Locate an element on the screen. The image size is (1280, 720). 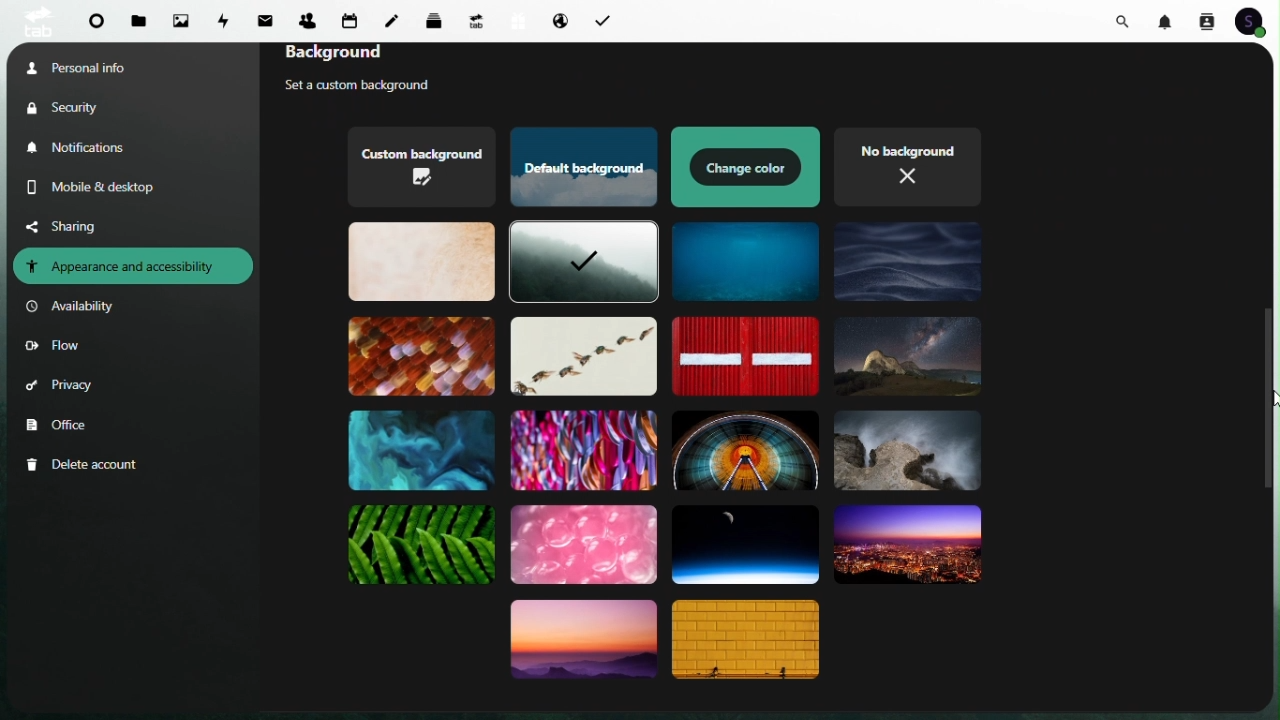
Mobile and desktop is located at coordinates (107, 187).